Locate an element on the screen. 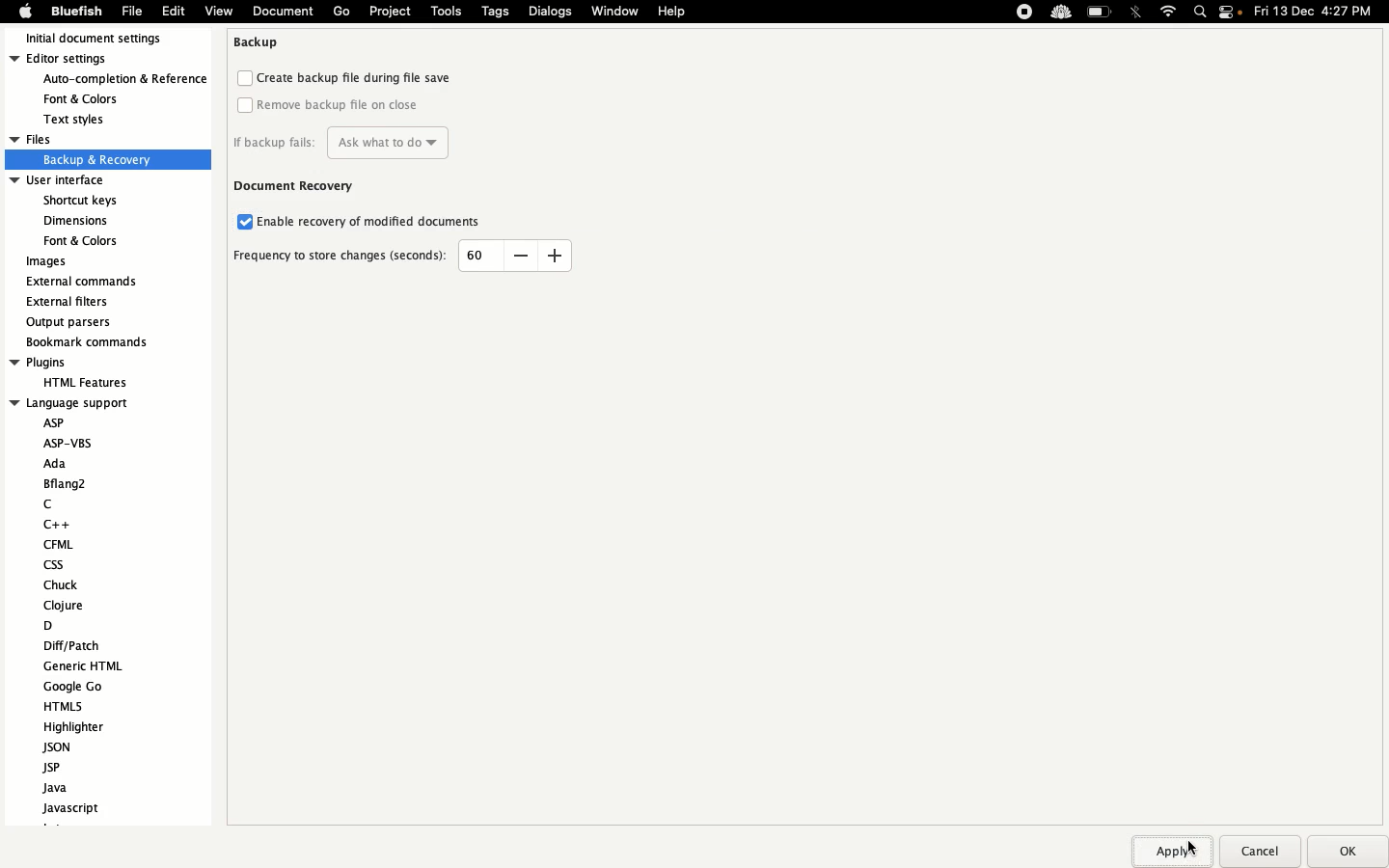  Backup is located at coordinates (260, 45).